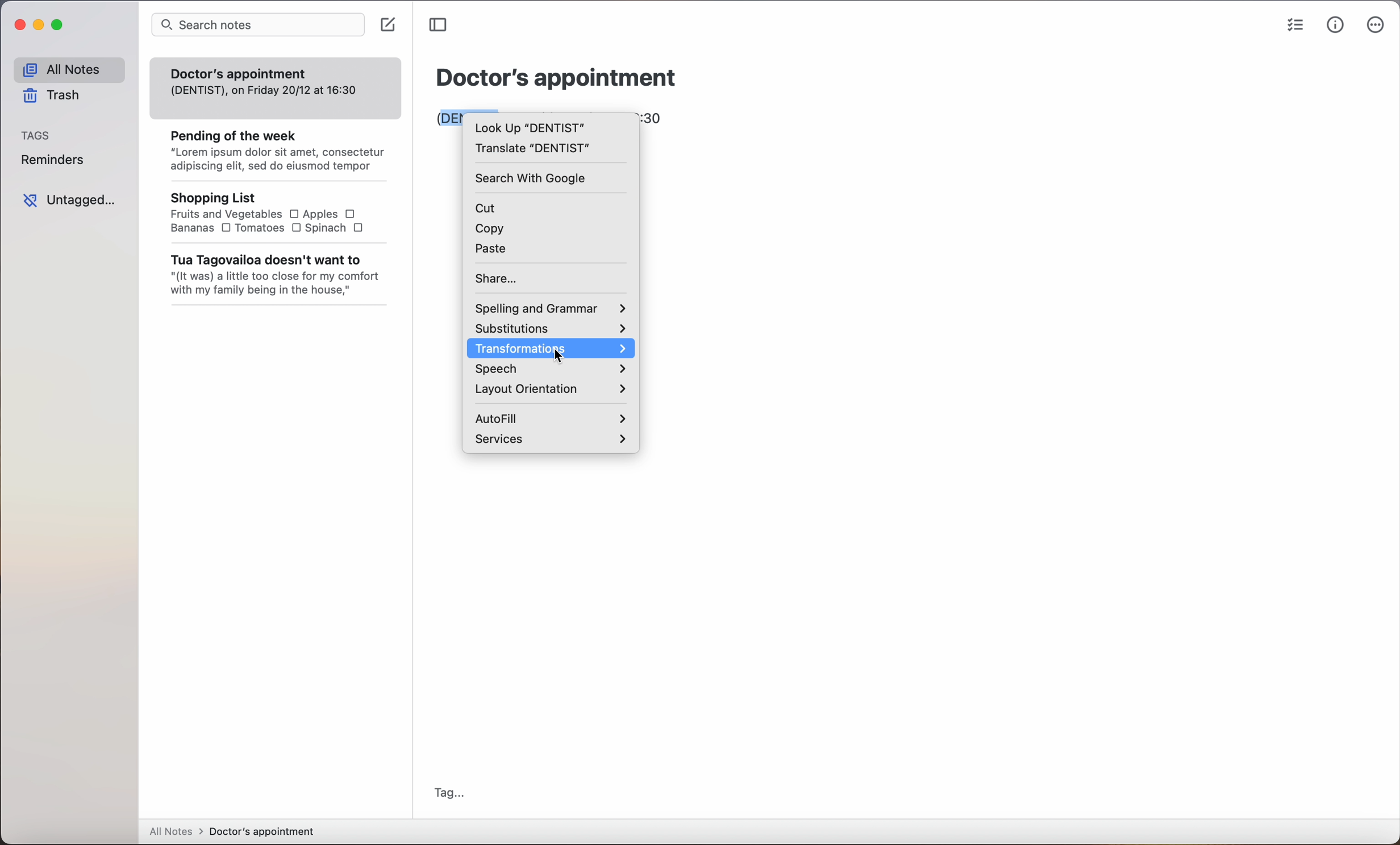 The width and height of the screenshot is (1400, 845). What do you see at coordinates (533, 150) in the screenshot?
I see `translate dentist` at bounding box center [533, 150].